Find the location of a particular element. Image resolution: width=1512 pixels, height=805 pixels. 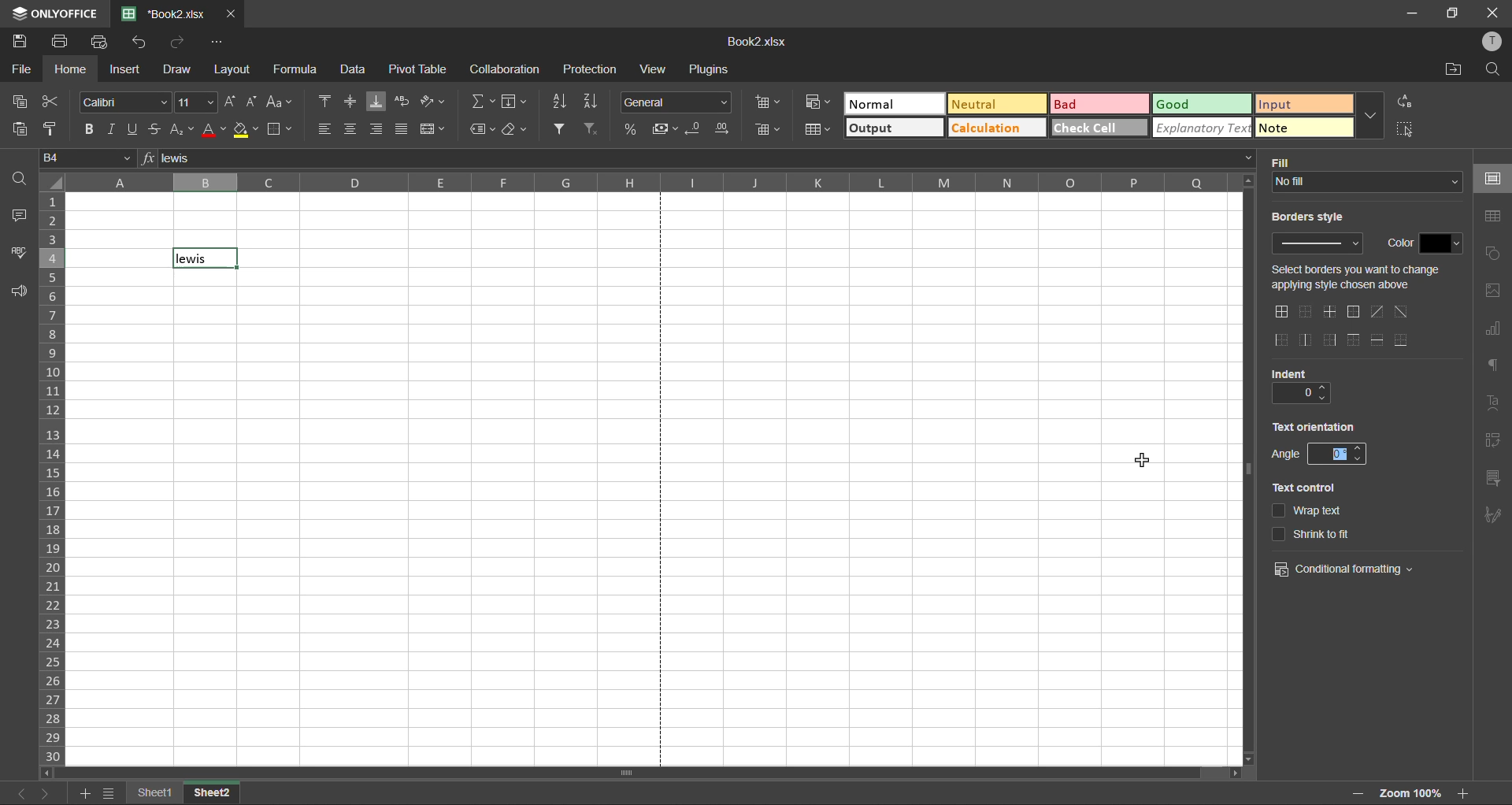

column names is located at coordinates (652, 181).